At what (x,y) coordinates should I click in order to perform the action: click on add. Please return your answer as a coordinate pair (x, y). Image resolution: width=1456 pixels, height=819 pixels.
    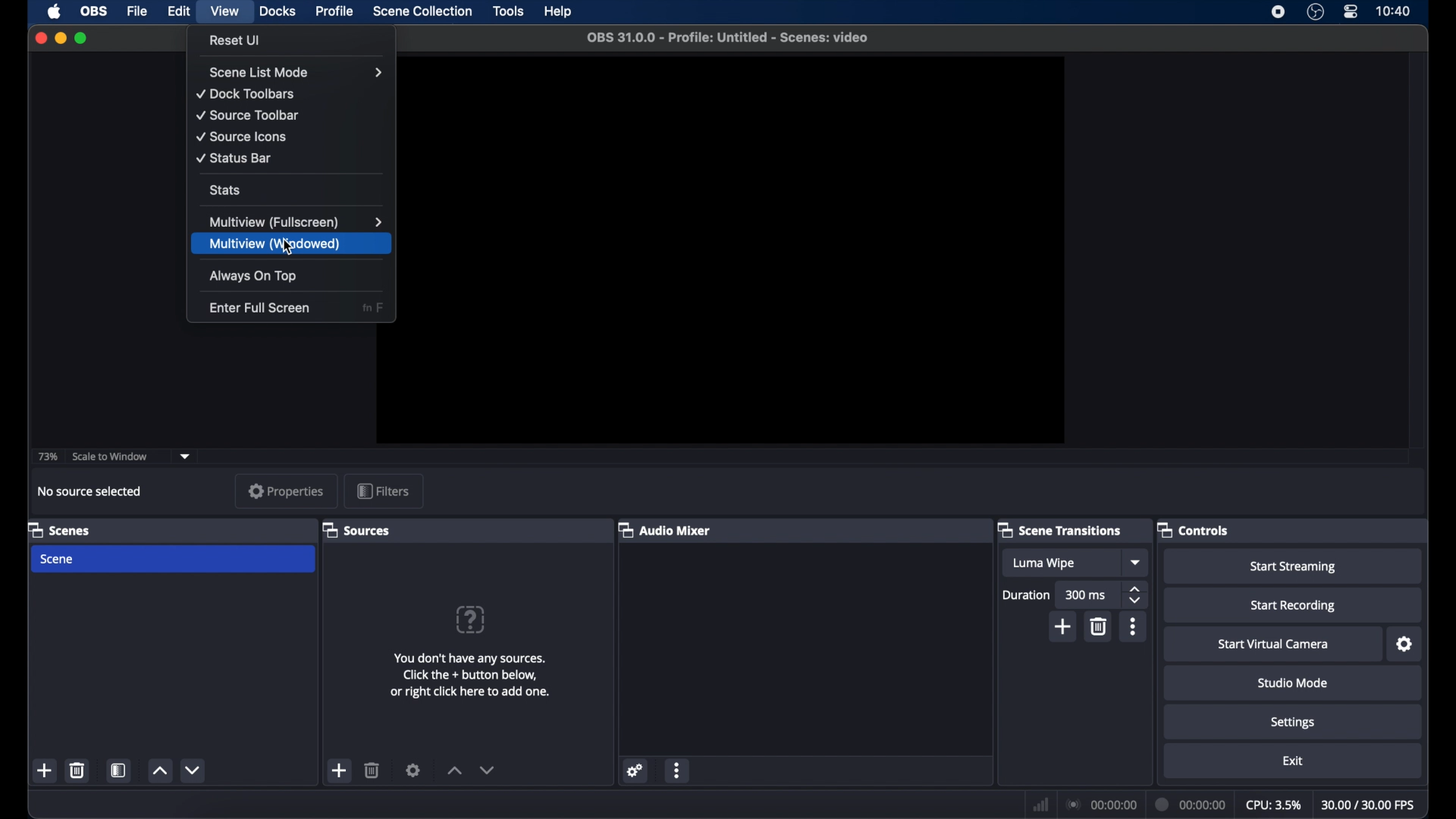
    Looking at the image, I should click on (1063, 627).